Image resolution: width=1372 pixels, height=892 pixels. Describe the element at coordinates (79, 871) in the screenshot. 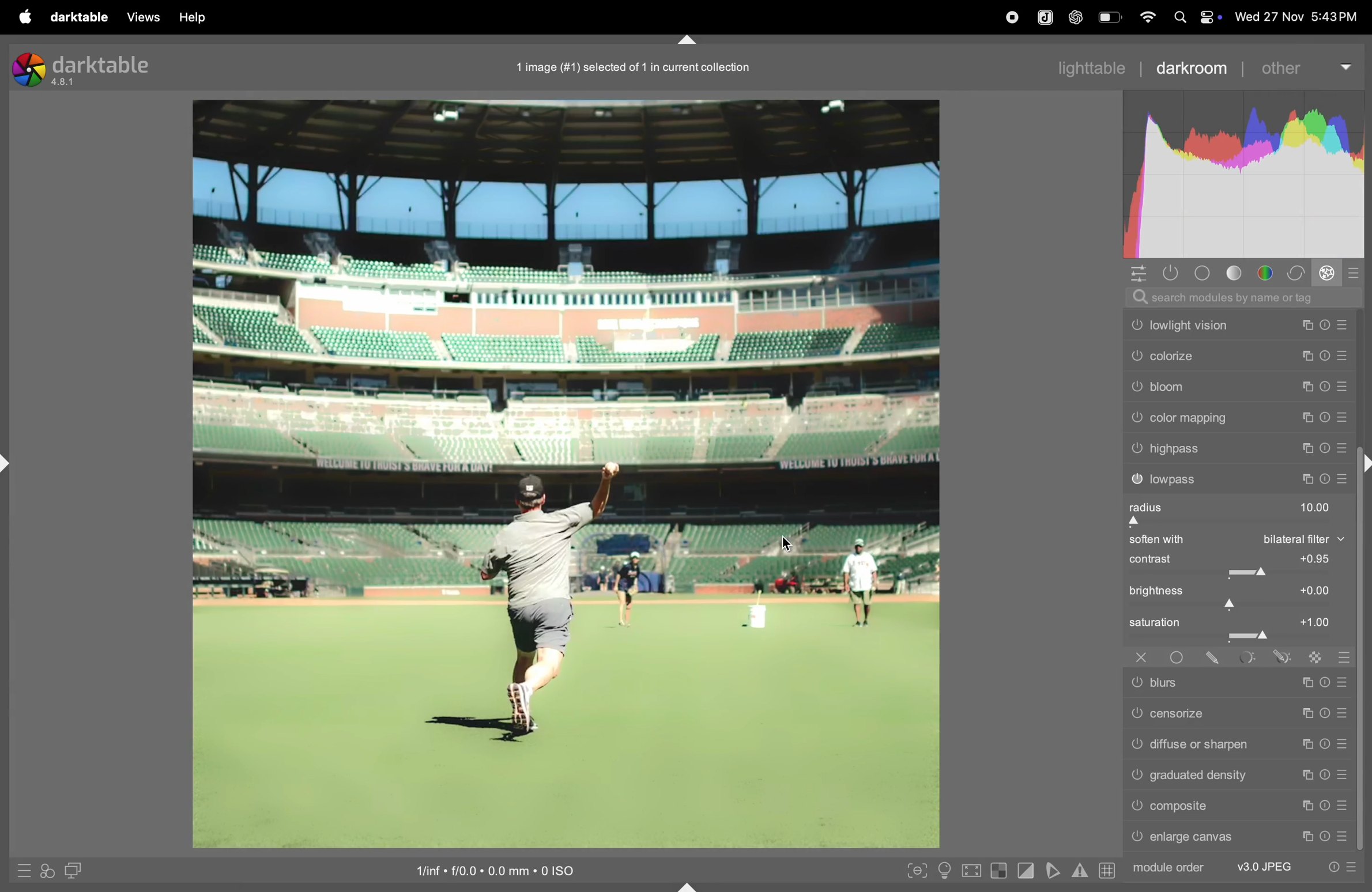

I see `display second dark room image window` at that location.